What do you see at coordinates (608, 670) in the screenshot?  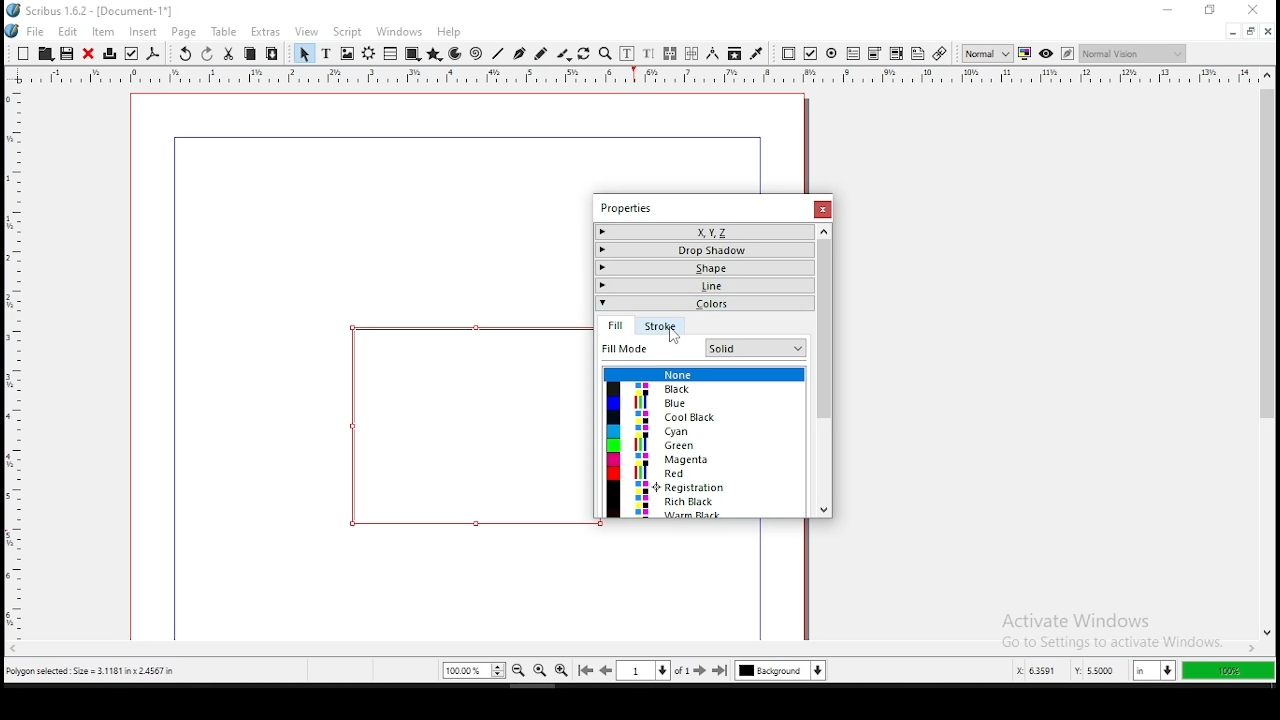 I see `go to previous page` at bounding box center [608, 670].